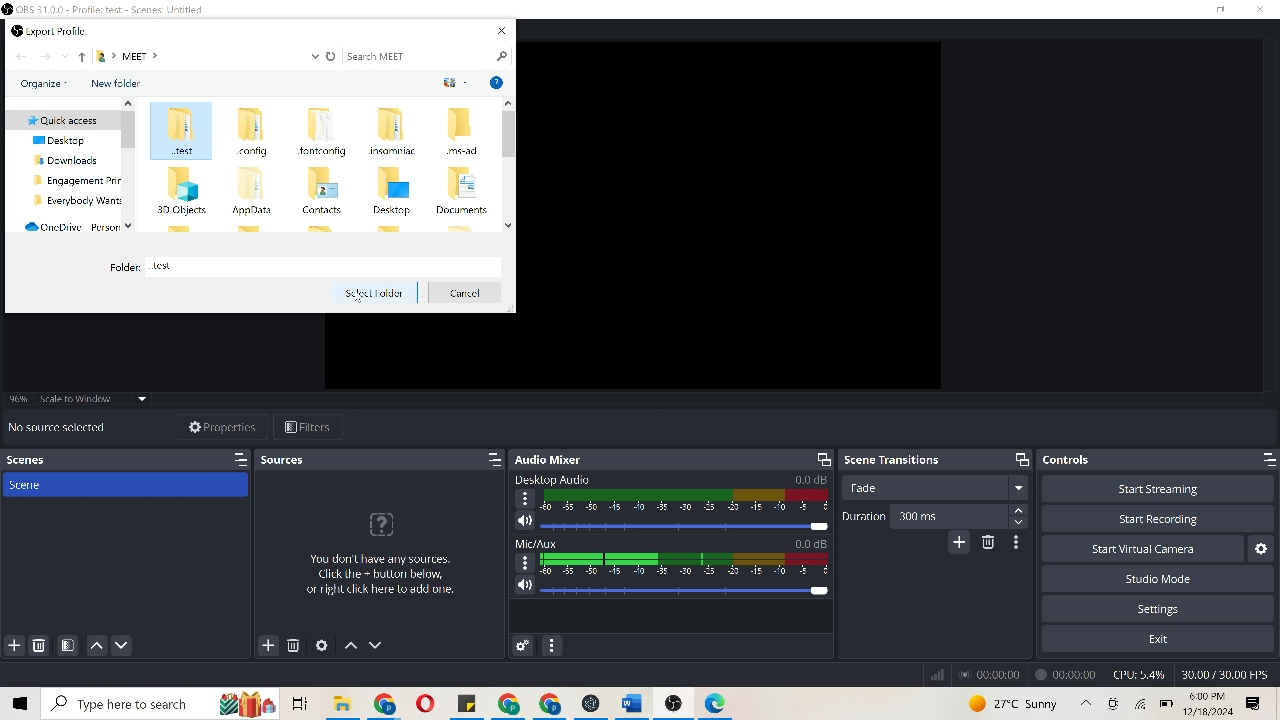  I want to click on filters, so click(316, 425).